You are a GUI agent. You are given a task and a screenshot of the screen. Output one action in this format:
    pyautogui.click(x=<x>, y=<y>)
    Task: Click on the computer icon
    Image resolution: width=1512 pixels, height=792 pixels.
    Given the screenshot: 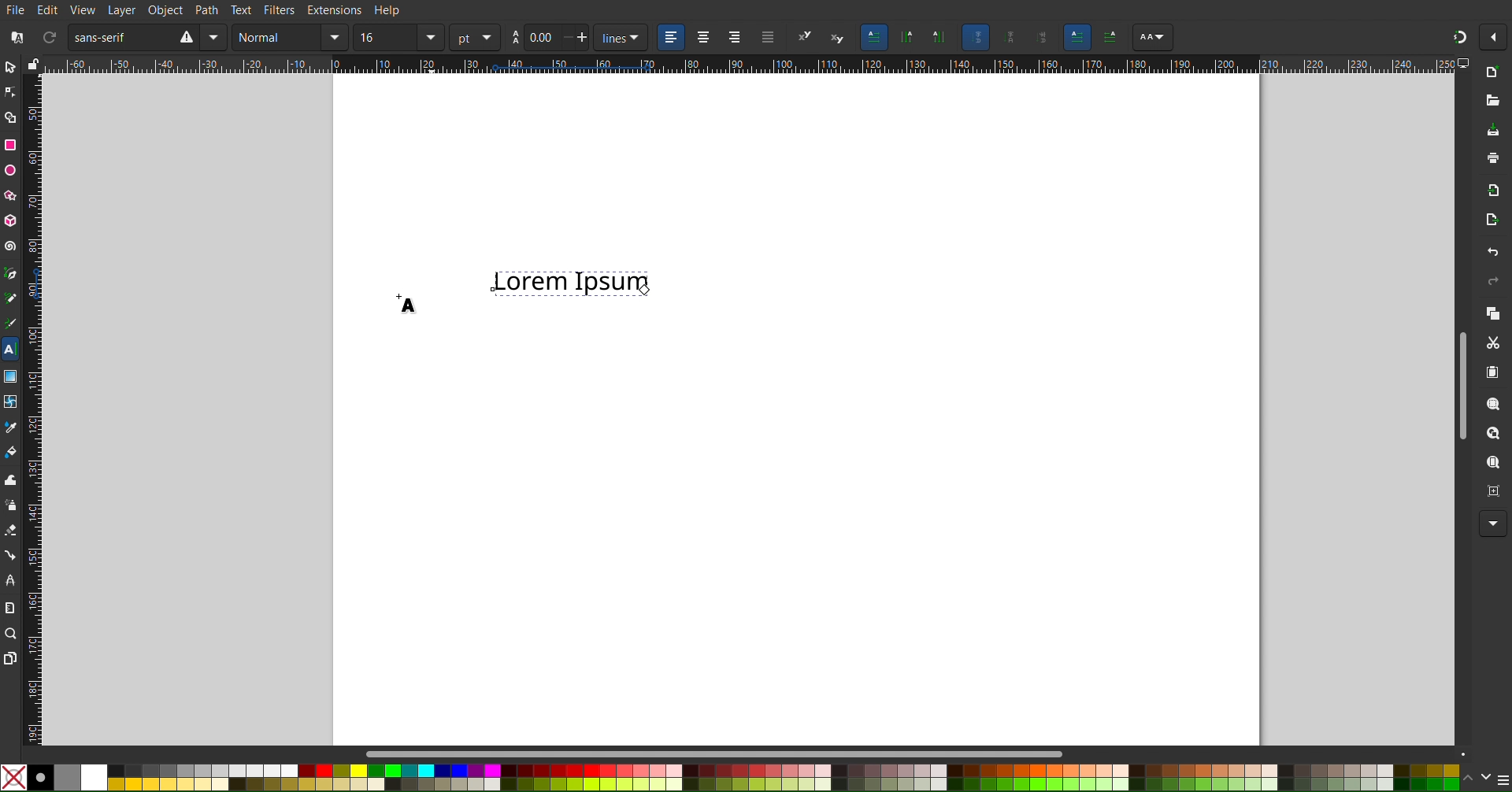 What is the action you would take?
    pyautogui.click(x=1465, y=63)
    